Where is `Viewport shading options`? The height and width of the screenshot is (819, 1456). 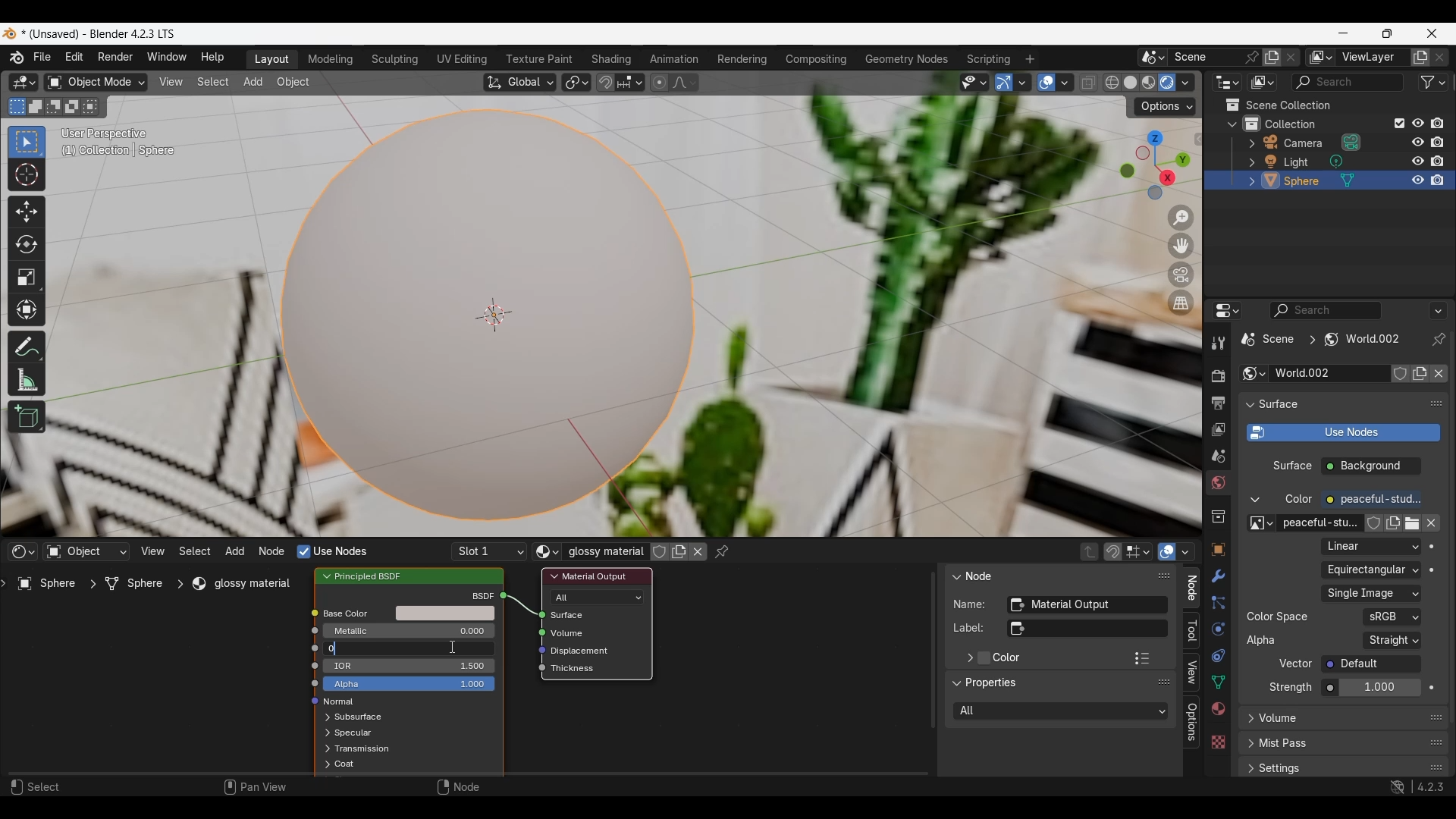
Viewport shading options is located at coordinates (1185, 83).